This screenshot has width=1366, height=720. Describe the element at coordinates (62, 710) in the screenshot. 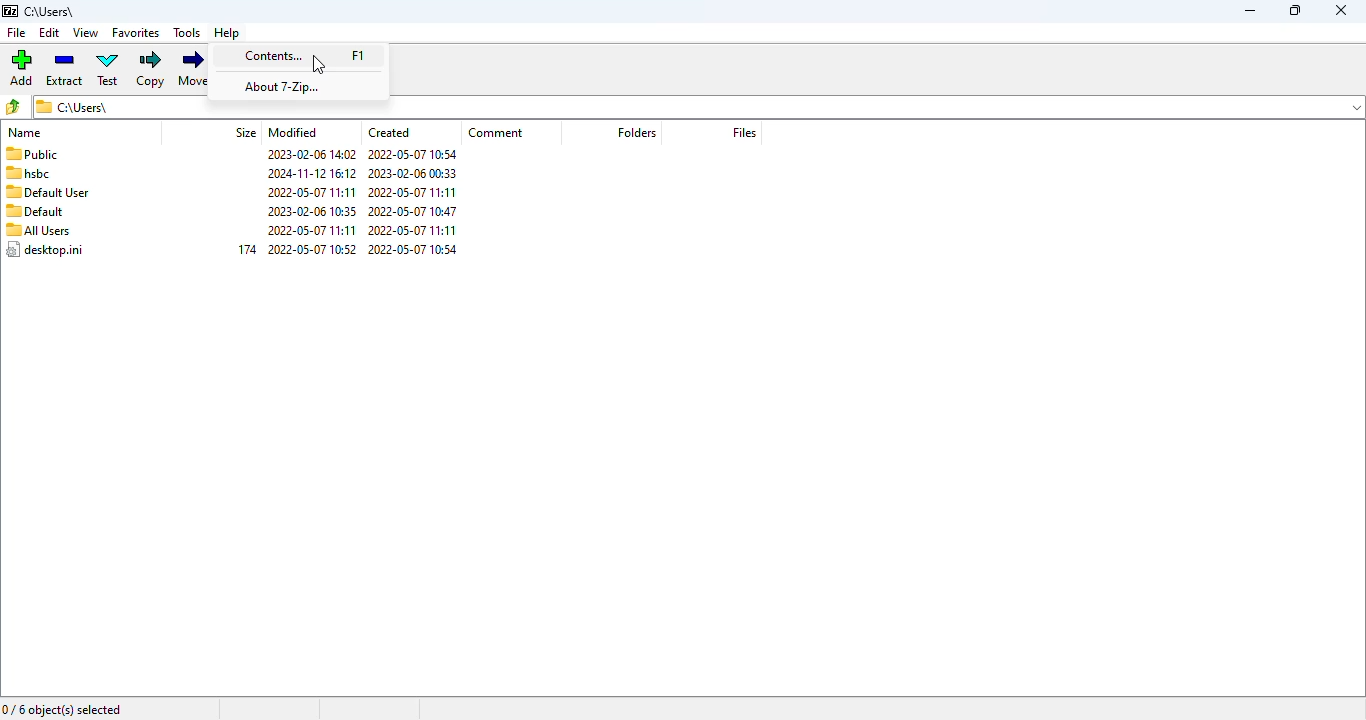

I see `0/6 object(s) selected` at that location.